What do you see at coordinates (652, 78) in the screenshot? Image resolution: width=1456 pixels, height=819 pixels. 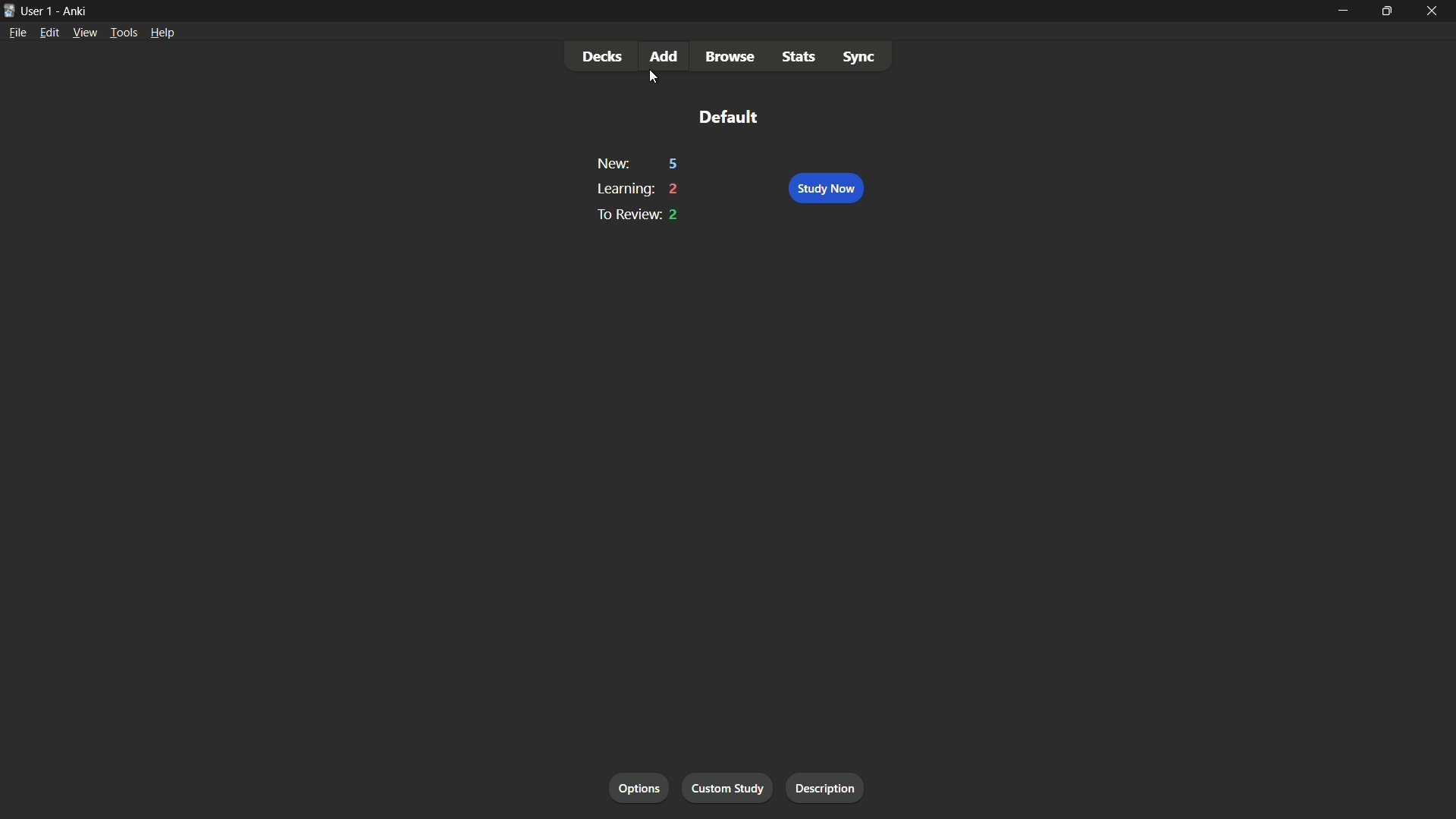 I see `cursor` at bounding box center [652, 78].